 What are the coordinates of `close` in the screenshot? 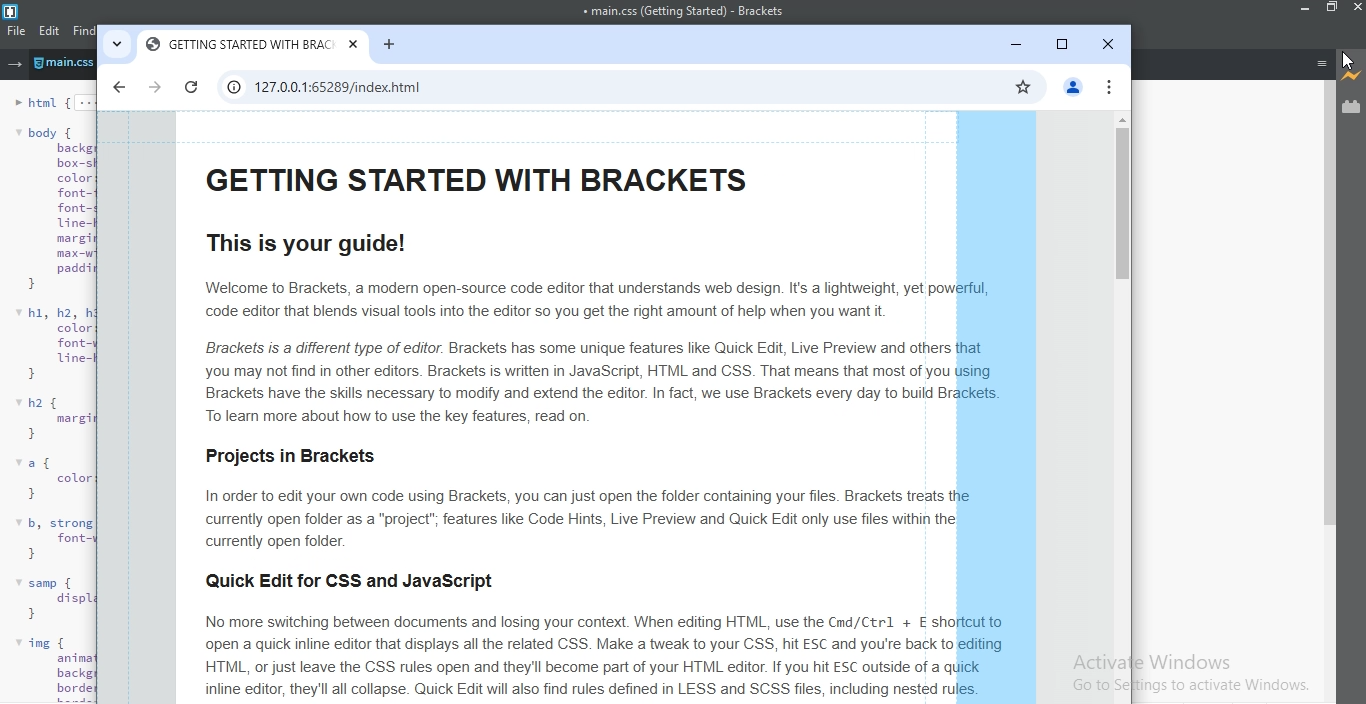 It's located at (1356, 10).